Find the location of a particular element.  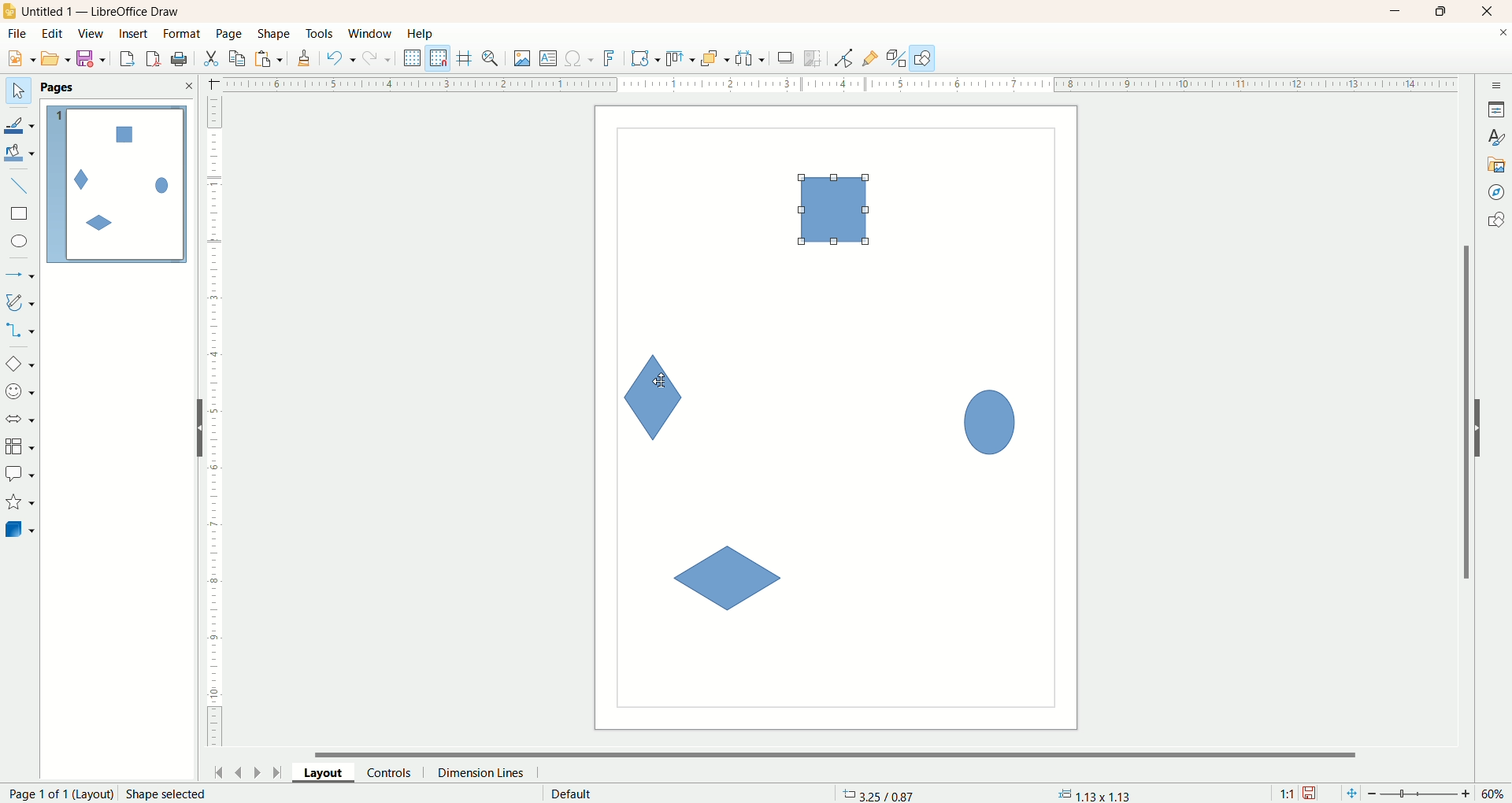

cursor is located at coordinates (658, 382).